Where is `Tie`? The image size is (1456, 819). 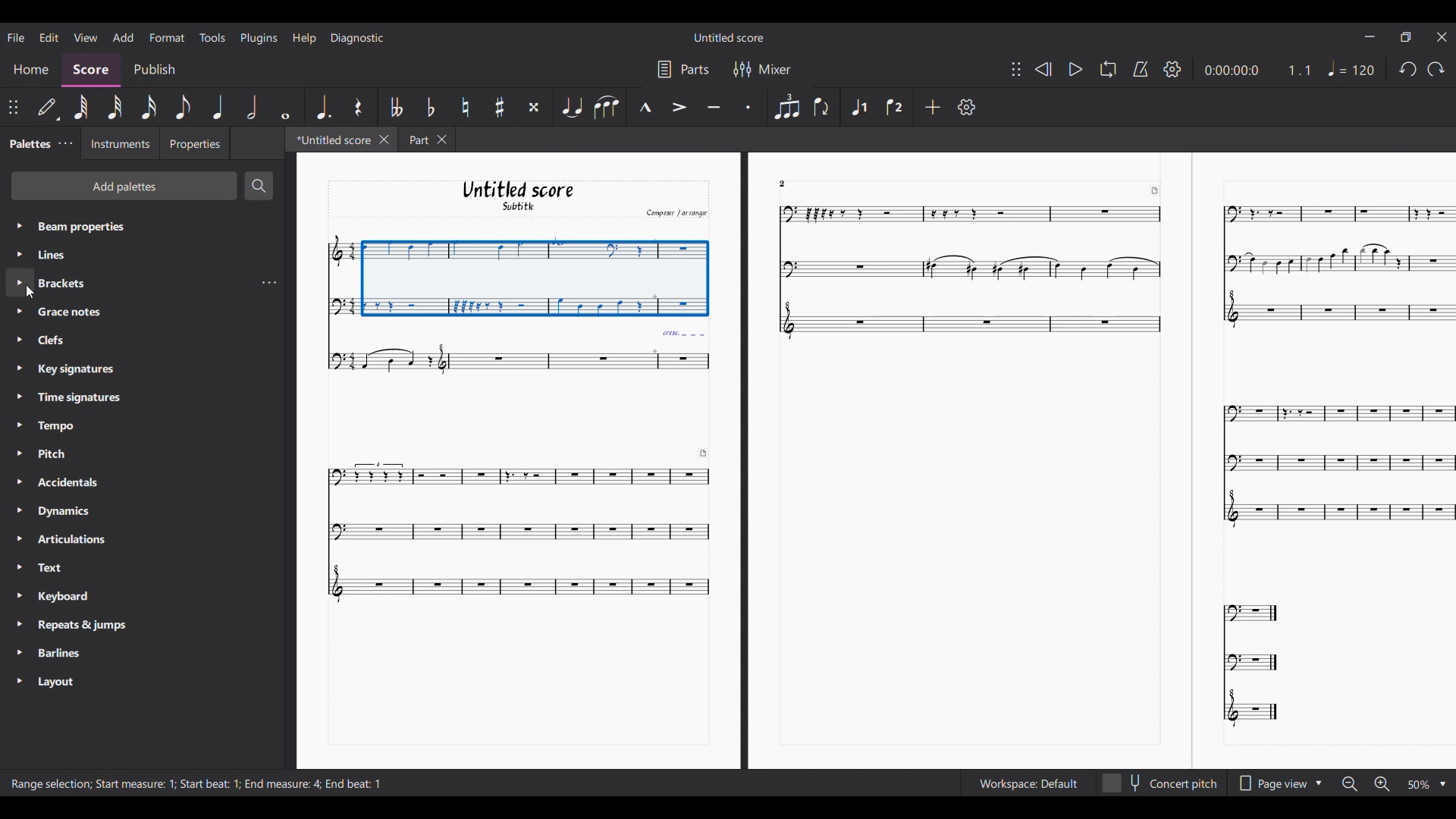
Tie is located at coordinates (571, 107).